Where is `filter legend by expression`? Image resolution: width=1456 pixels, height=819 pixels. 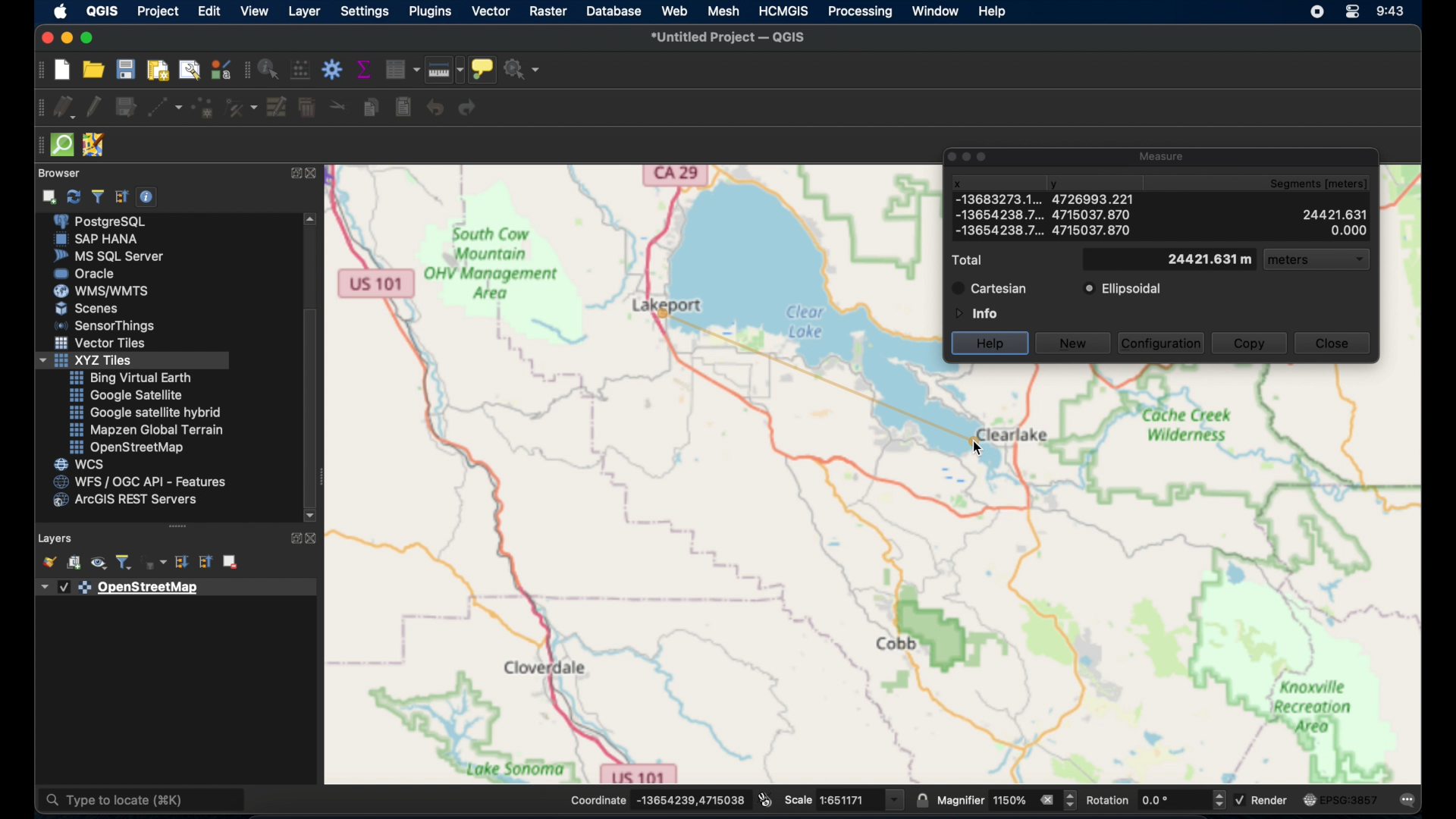
filter legend by expression is located at coordinates (156, 563).